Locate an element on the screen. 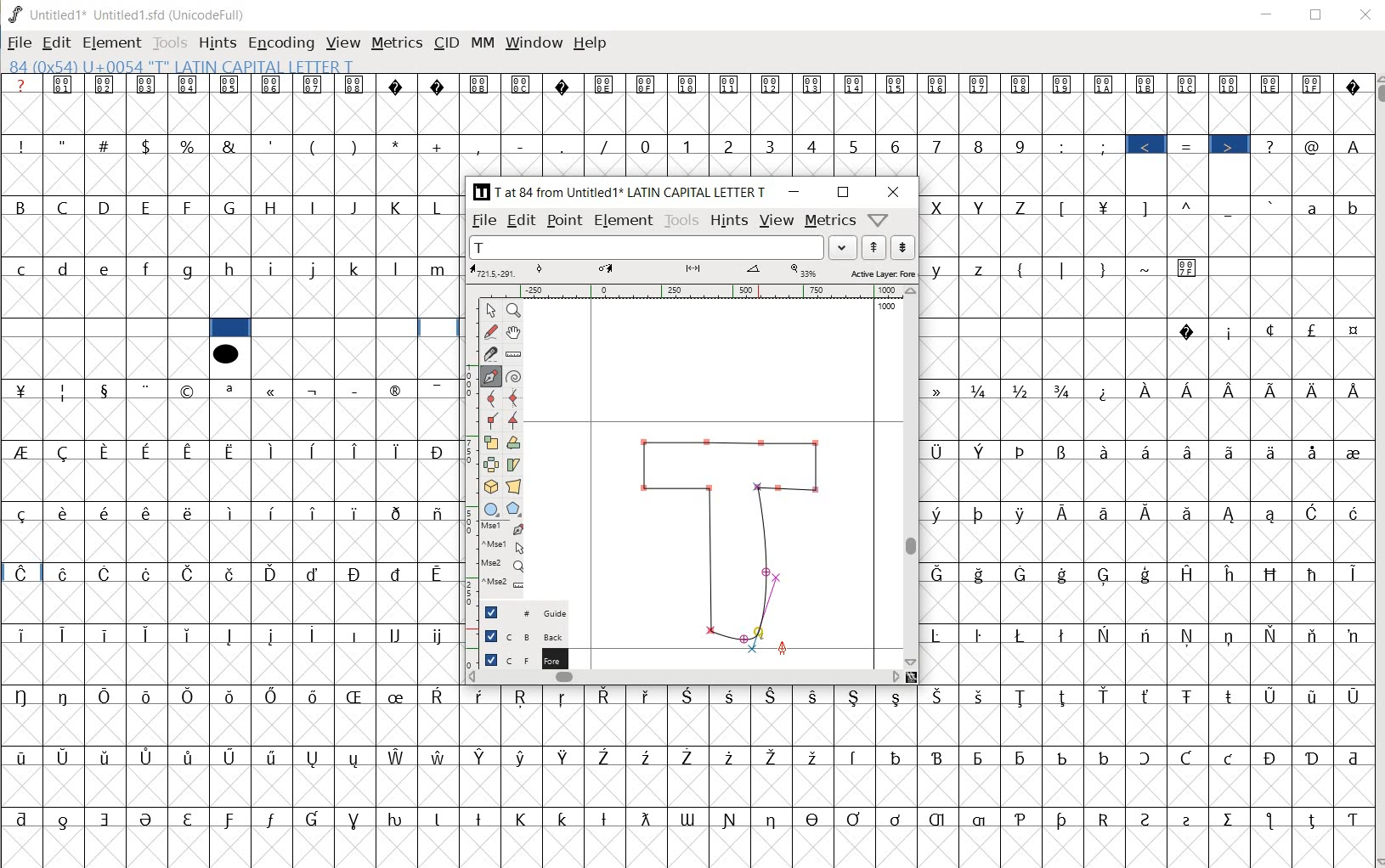 The height and width of the screenshot is (868, 1385). Symbol is located at coordinates (771, 695).